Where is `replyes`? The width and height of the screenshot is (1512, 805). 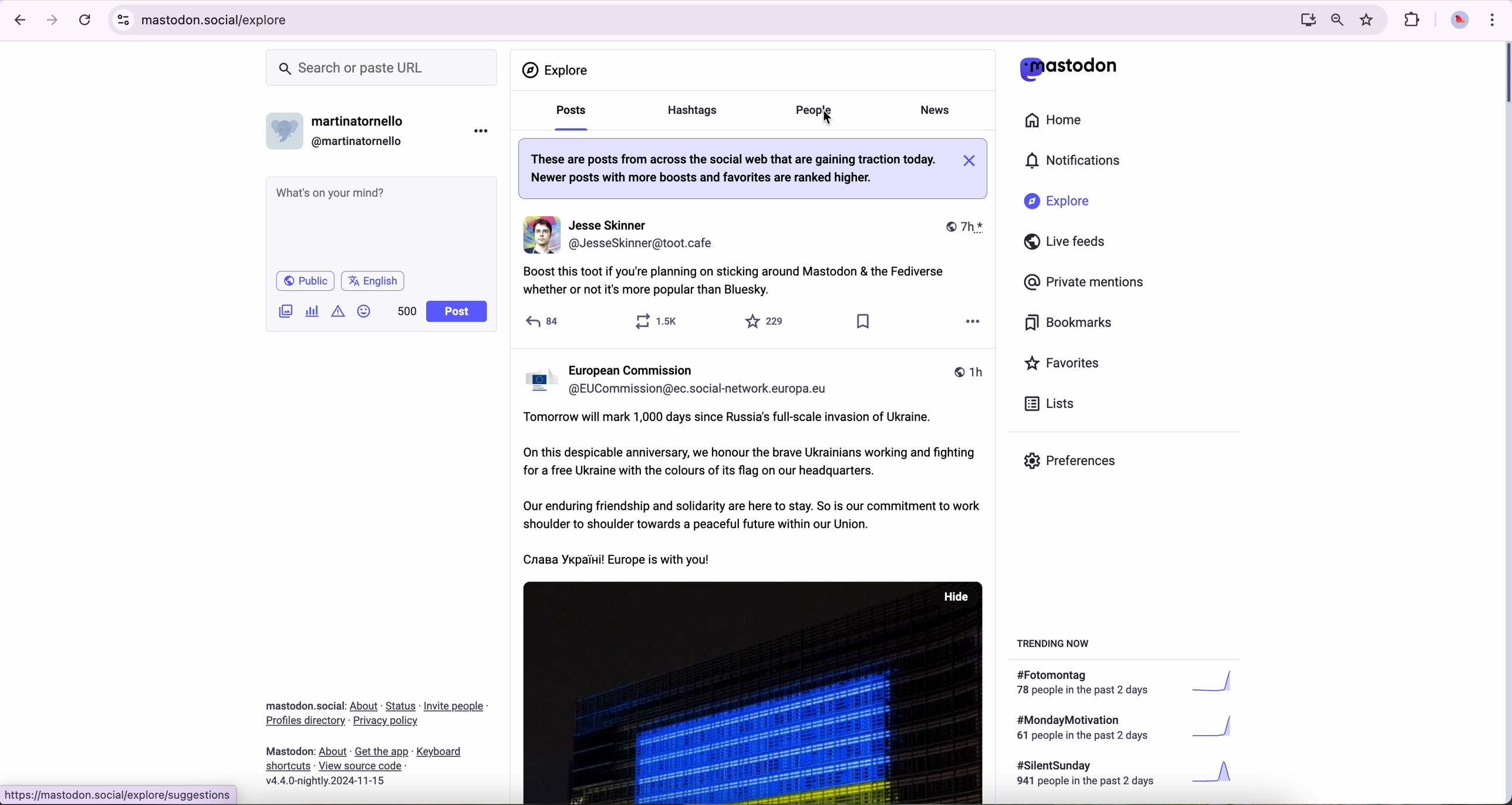
replyes is located at coordinates (544, 319).